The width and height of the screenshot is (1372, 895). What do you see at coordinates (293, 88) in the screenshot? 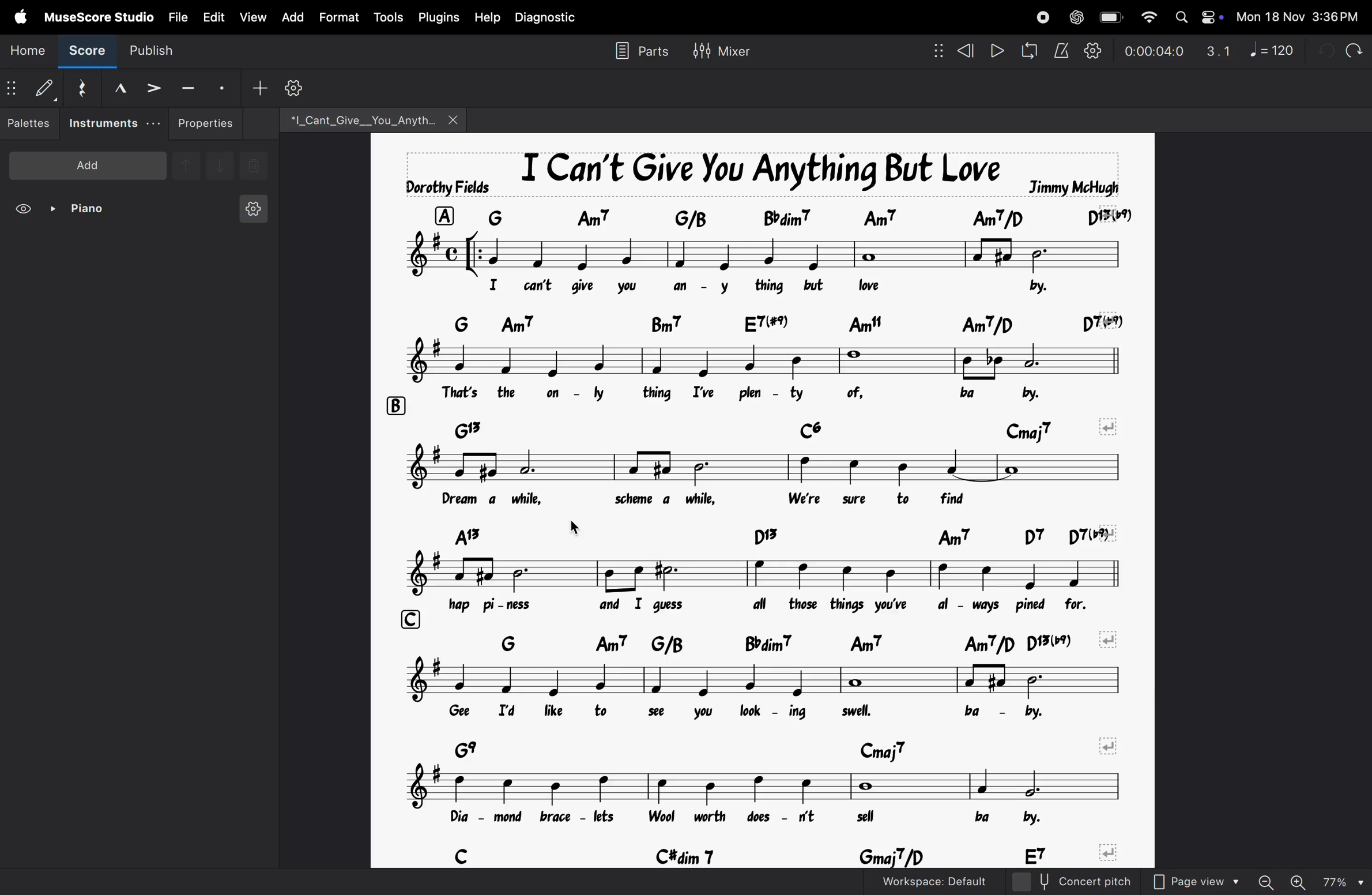
I see `settings` at bounding box center [293, 88].